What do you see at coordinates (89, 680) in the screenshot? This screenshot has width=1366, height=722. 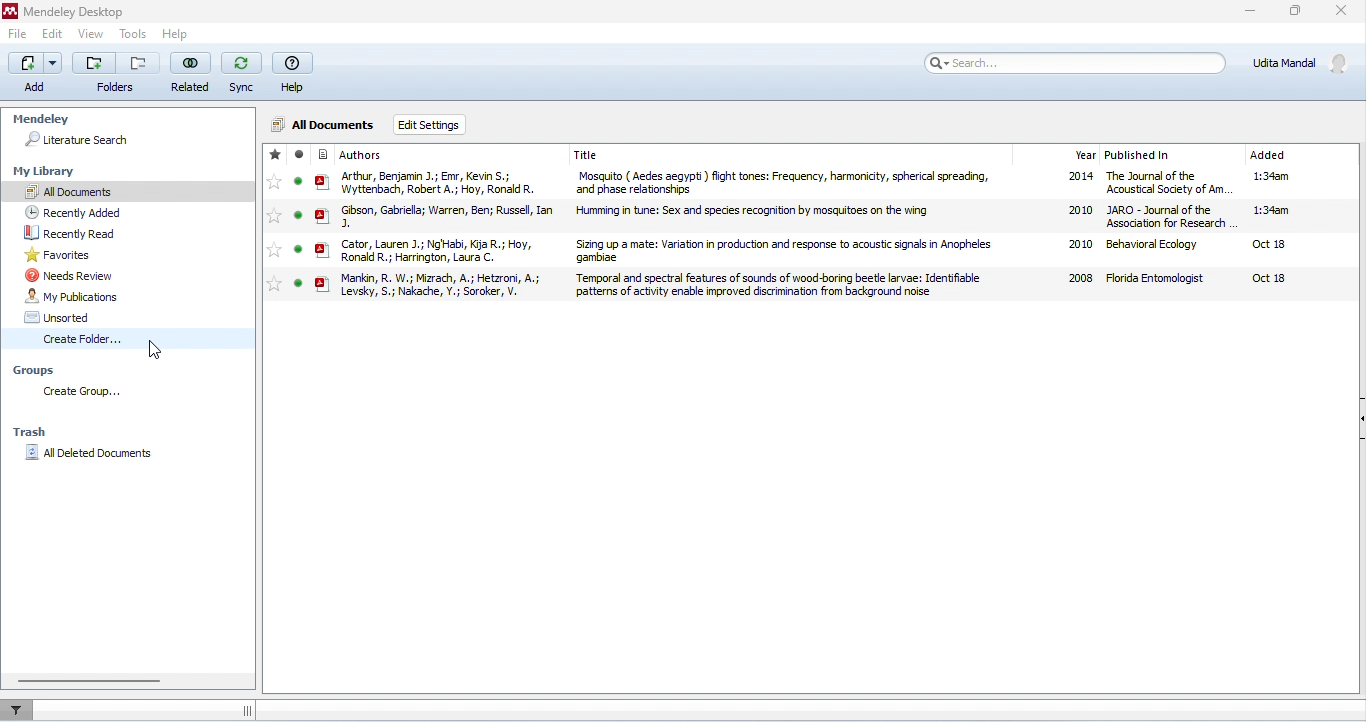 I see `horizontal scroll bar` at bounding box center [89, 680].